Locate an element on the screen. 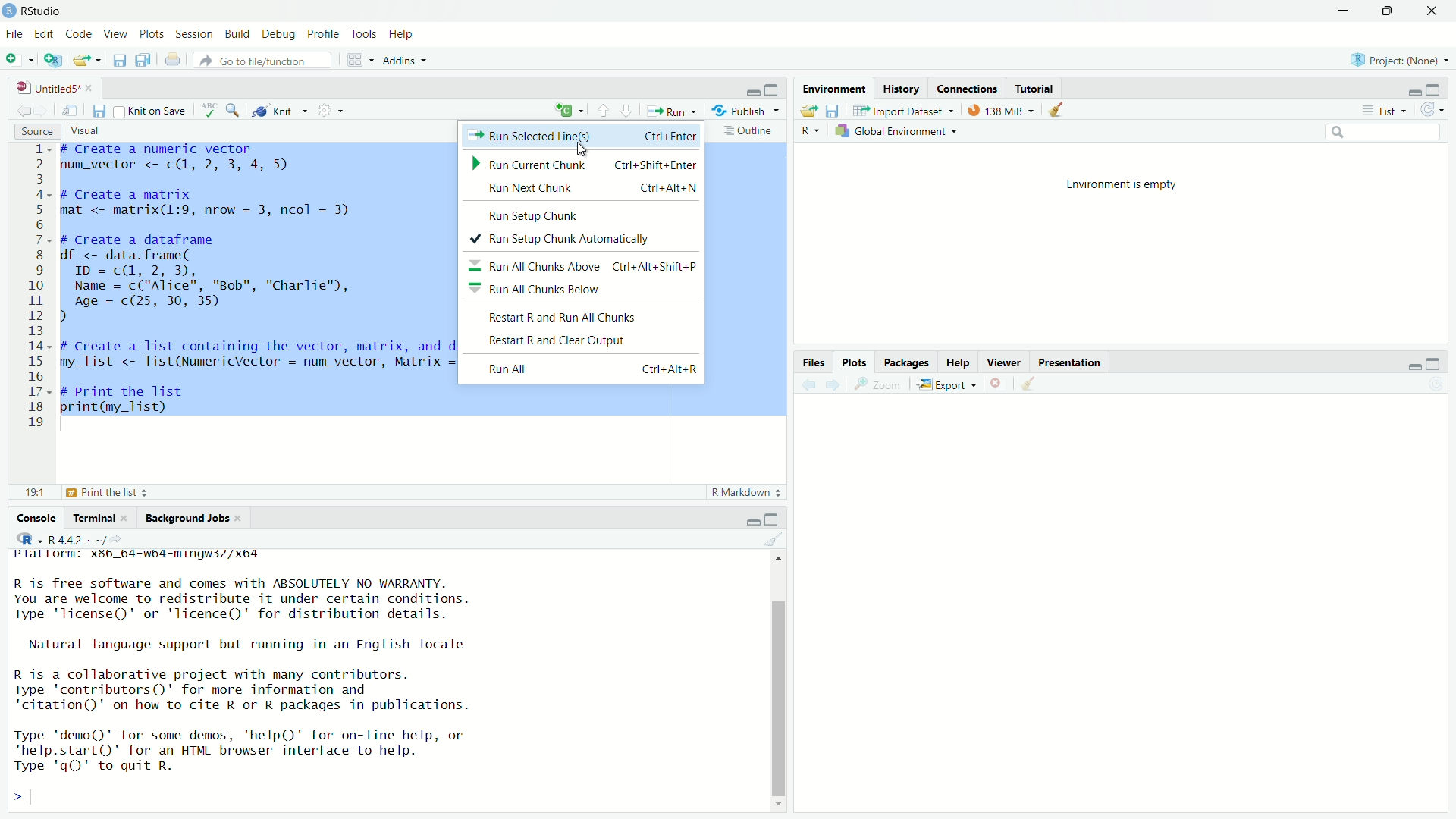 The height and width of the screenshot is (819, 1456). 3 Print the list + is located at coordinates (121, 493).